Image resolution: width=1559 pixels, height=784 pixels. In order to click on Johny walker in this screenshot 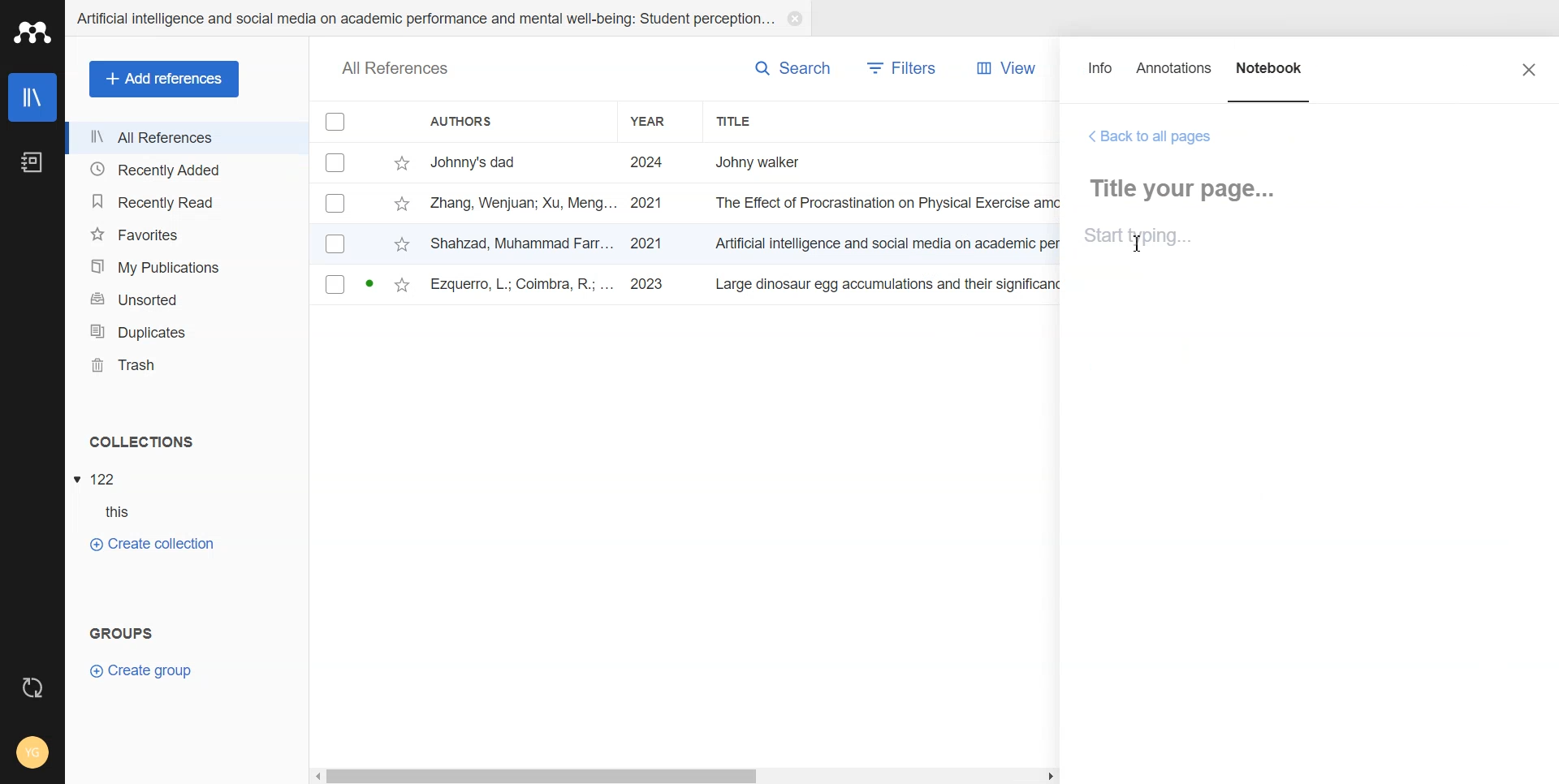, I will do `click(775, 161)`.